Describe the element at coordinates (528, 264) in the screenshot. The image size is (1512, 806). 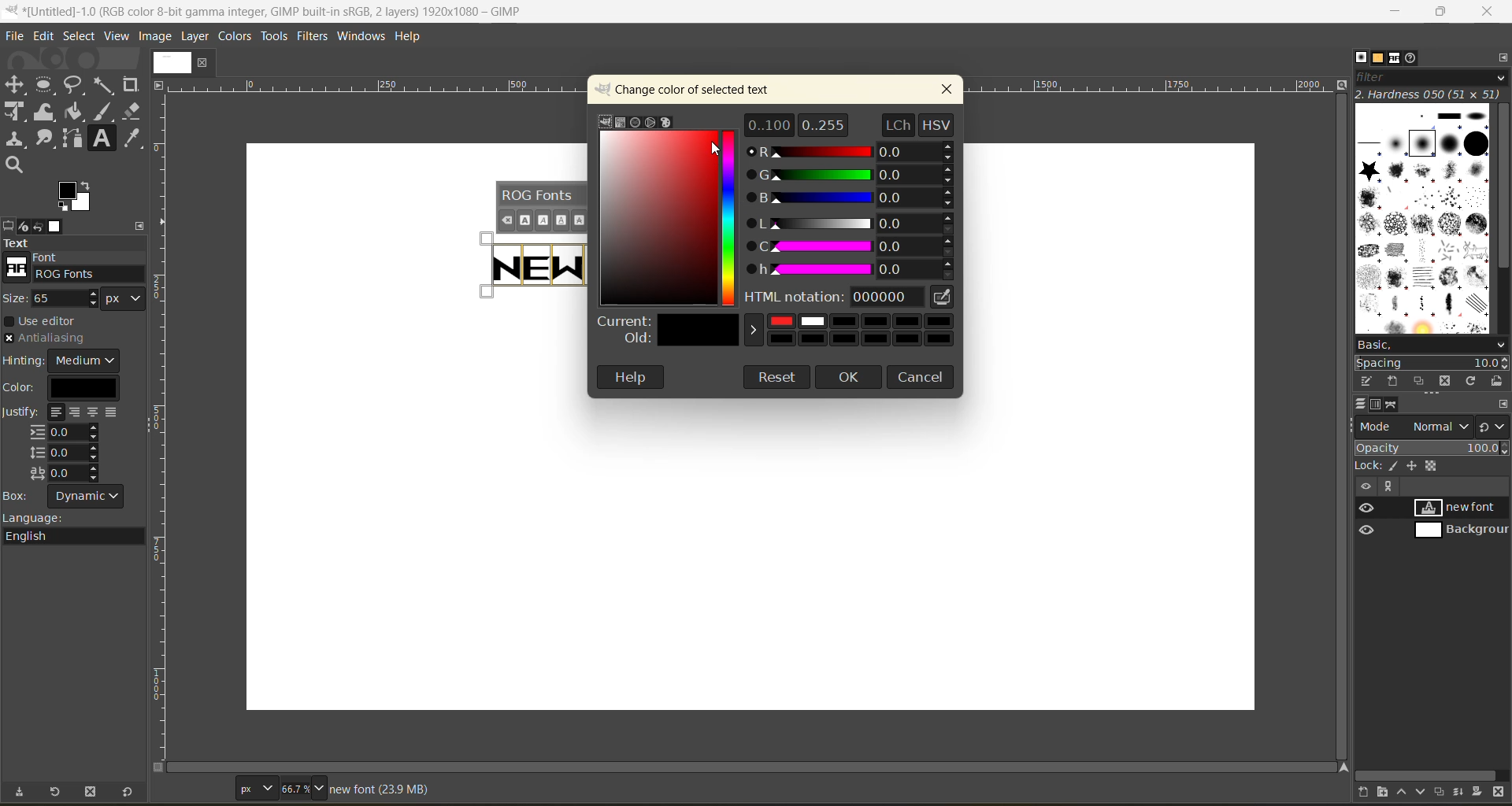
I see `text` at that location.